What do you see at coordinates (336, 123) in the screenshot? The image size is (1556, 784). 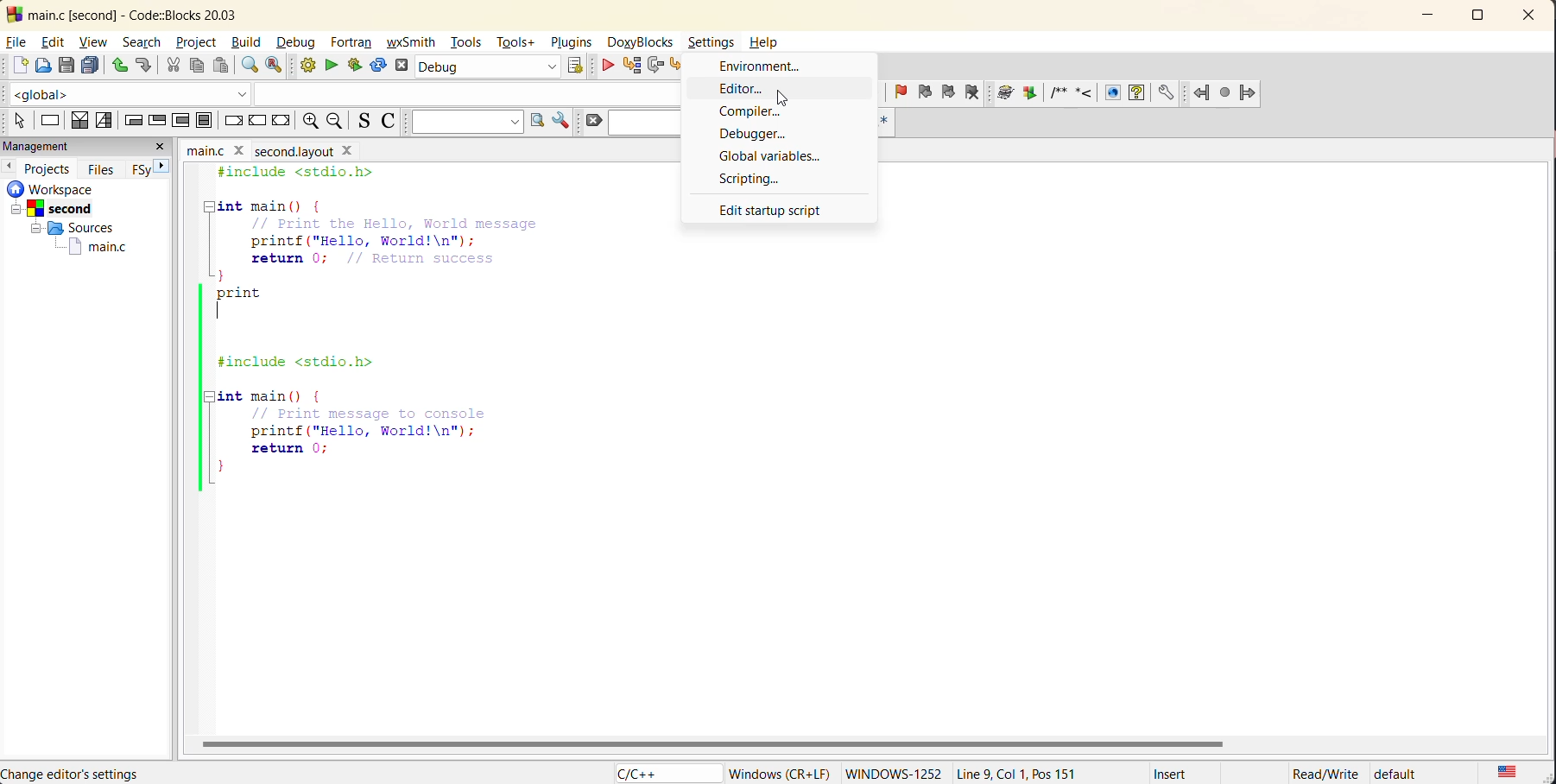 I see `zoom in` at bounding box center [336, 123].